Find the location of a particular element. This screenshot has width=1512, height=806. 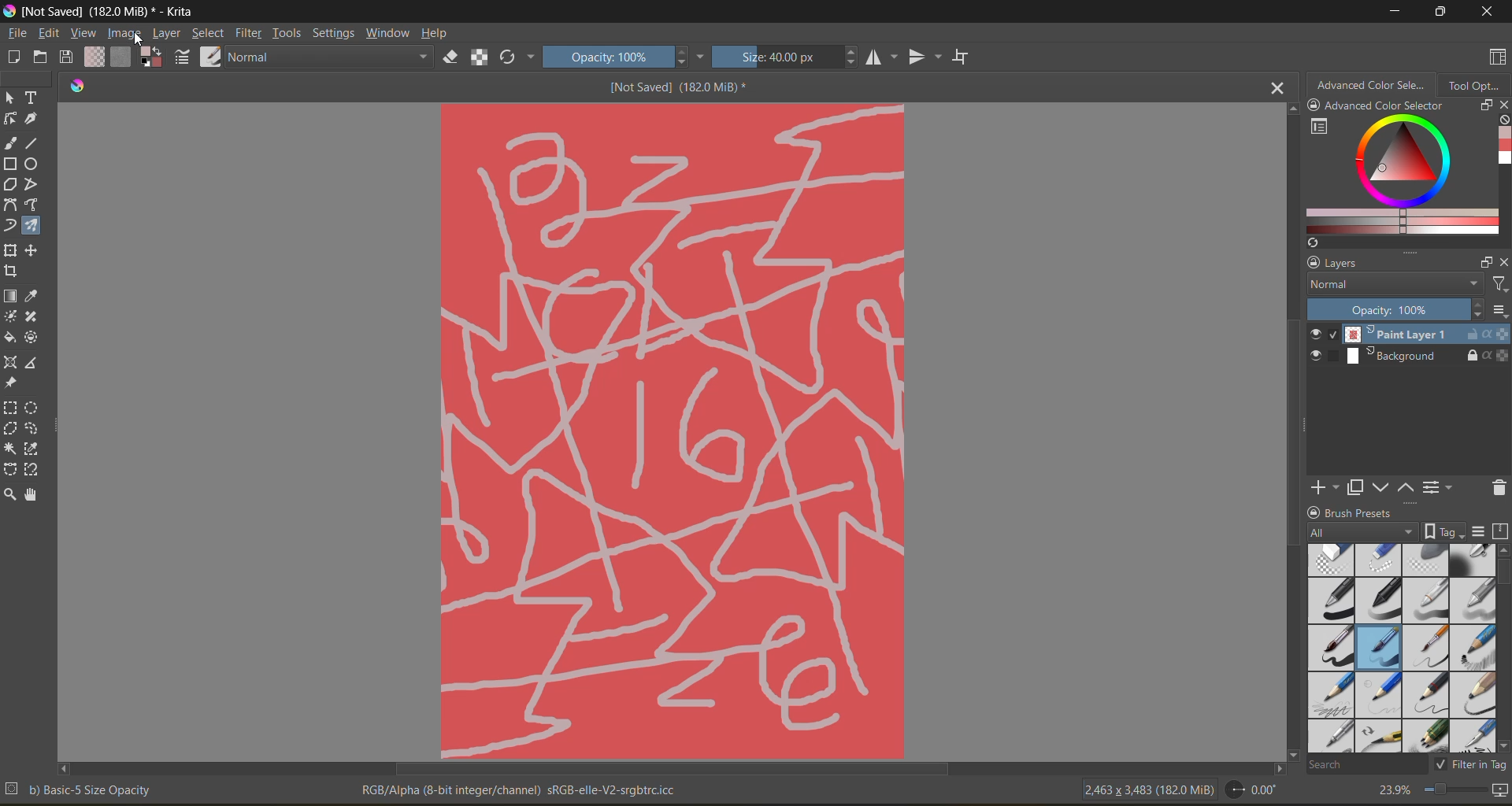

Brush presets is located at coordinates (1366, 512).